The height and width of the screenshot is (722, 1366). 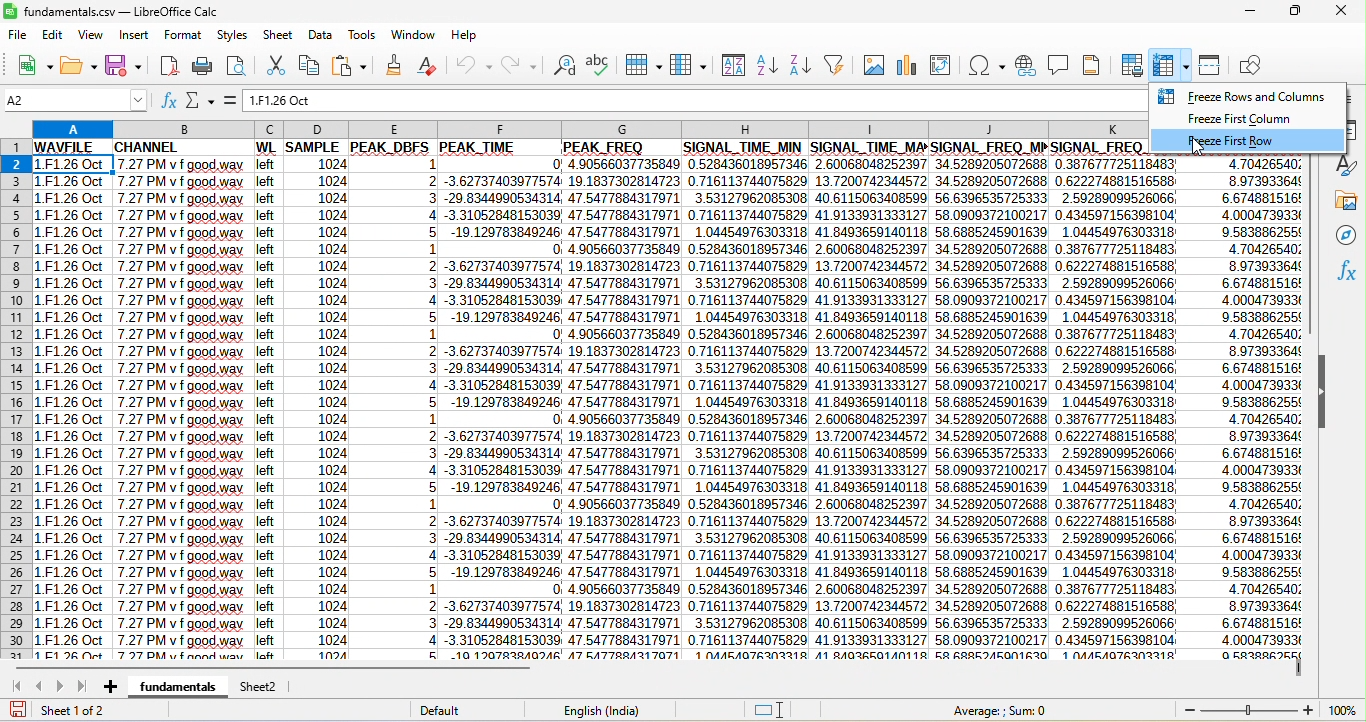 What do you see at coordinates (132, 36) in the screenshot?
I see `insert` at bounding box center [132, 36].